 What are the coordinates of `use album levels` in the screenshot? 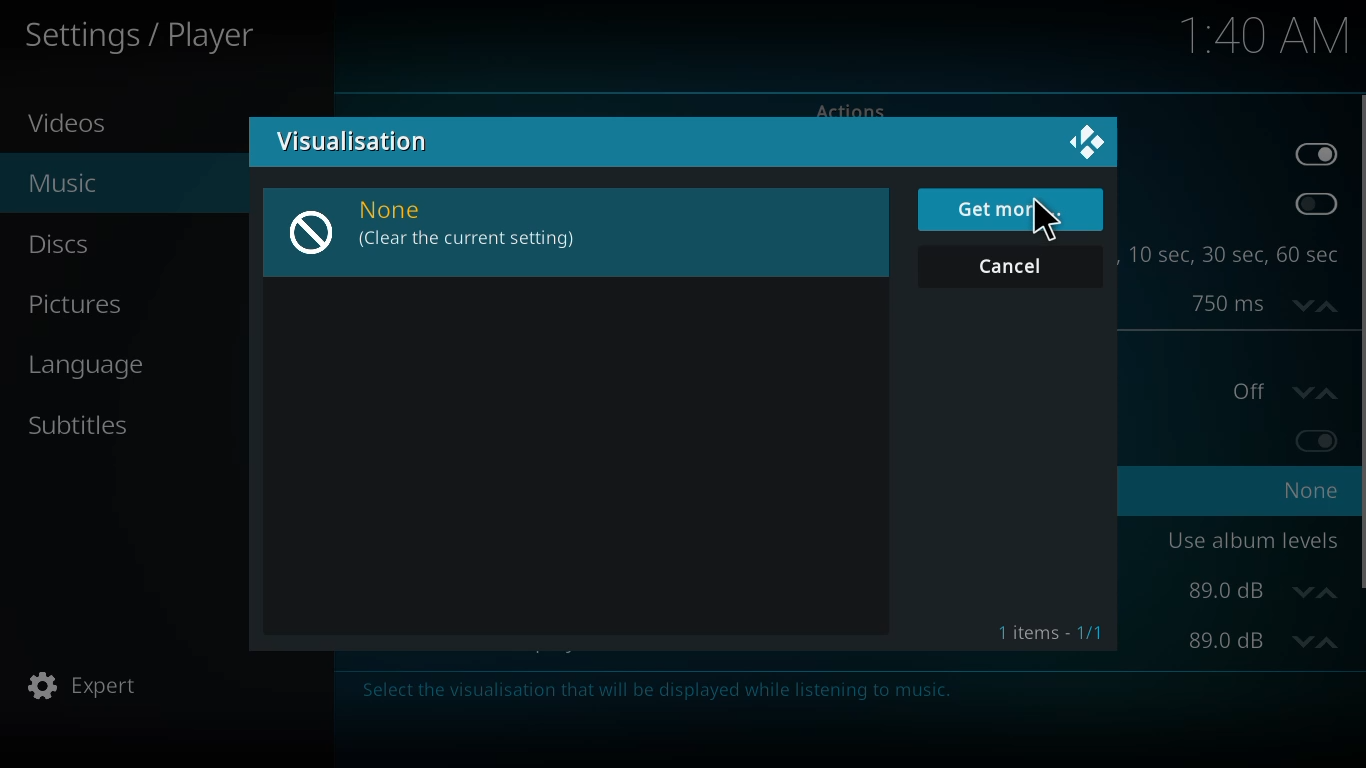 It's located at (1252, 539).